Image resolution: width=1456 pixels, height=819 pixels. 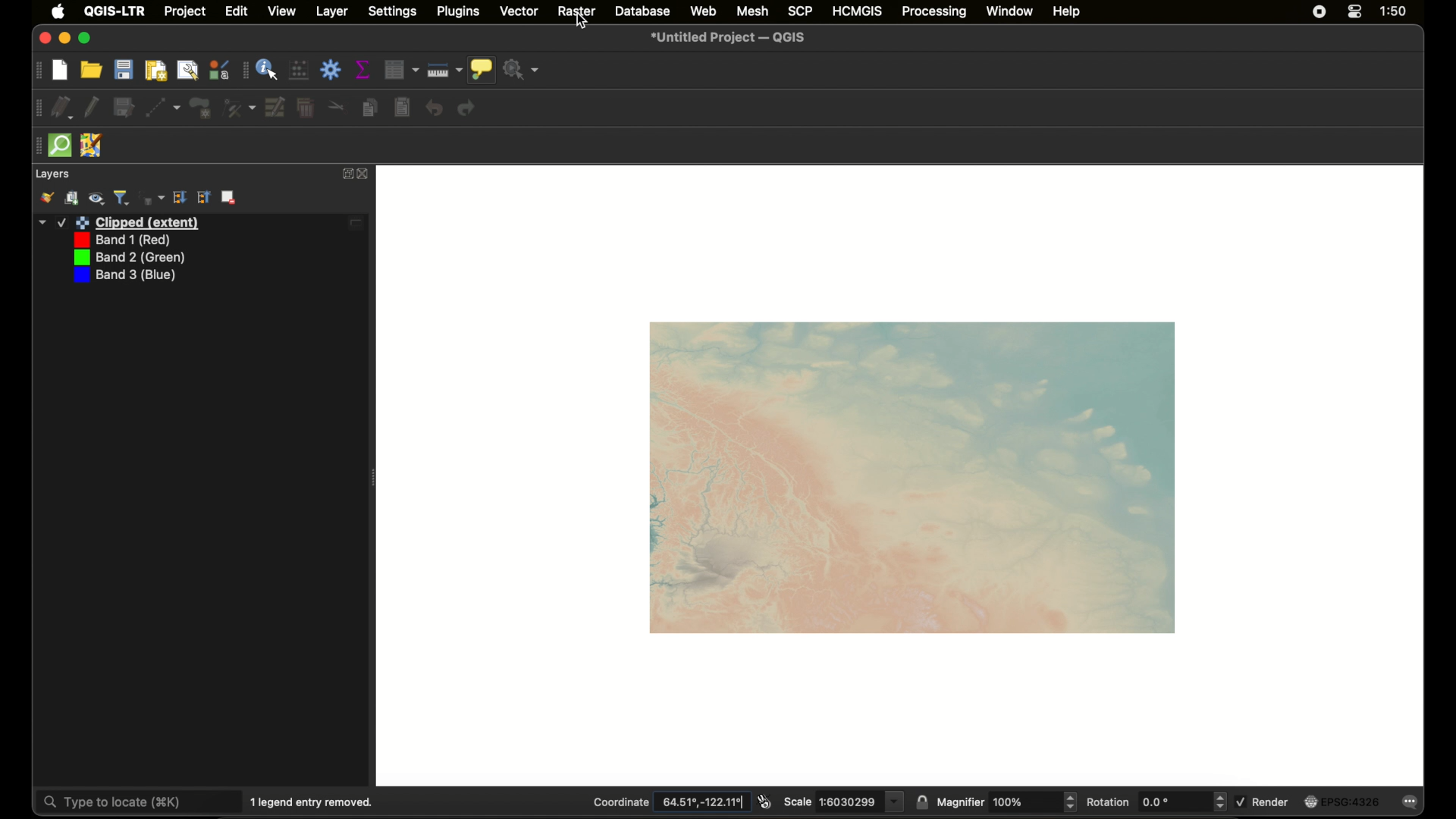 I want to click on processing, so click(x=935, y=12).